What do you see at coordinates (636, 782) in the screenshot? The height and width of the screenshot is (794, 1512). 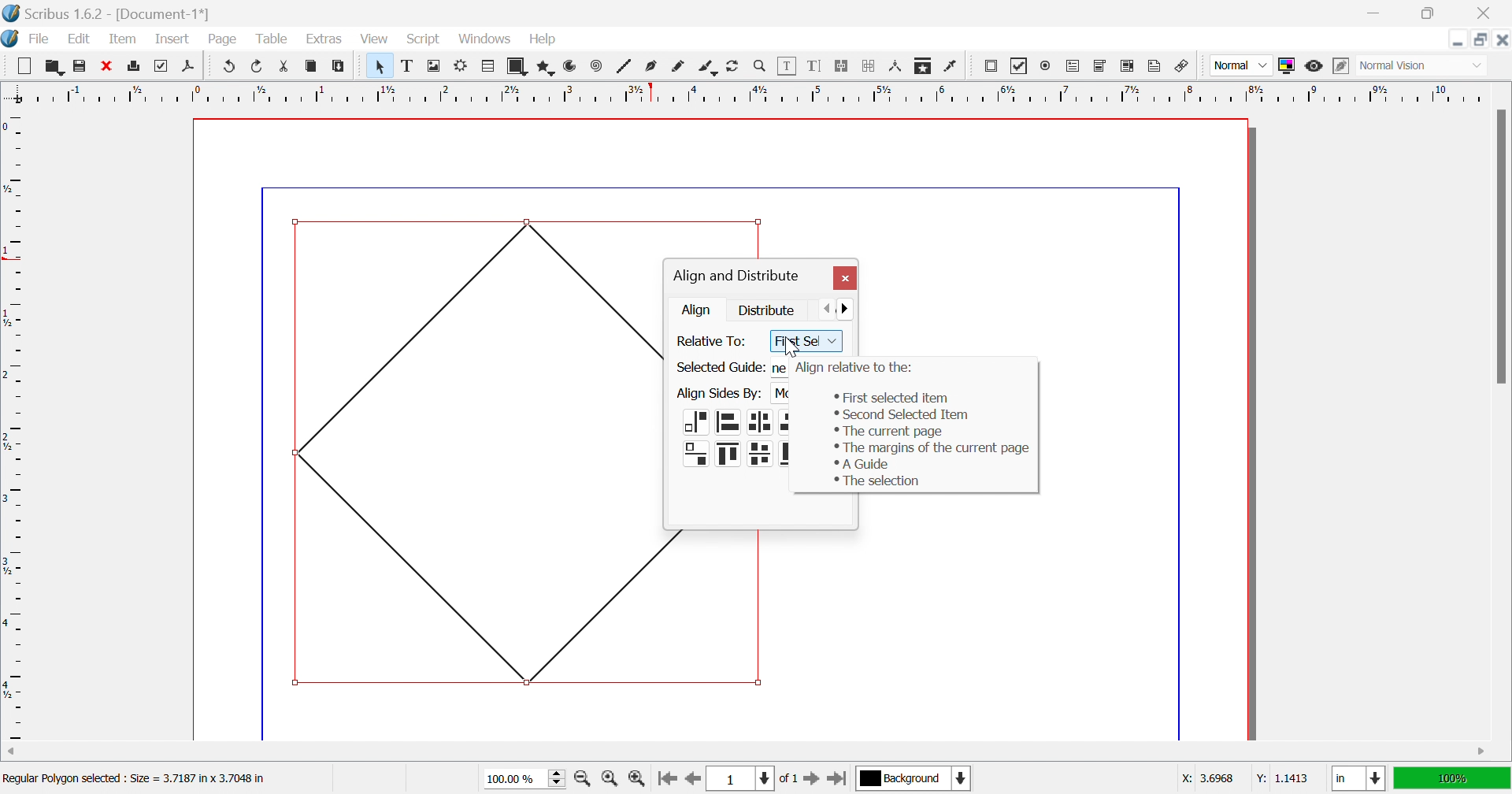 I see `Zoom in by the stepping value in Tools preferences` at bounding box center [636, 782].